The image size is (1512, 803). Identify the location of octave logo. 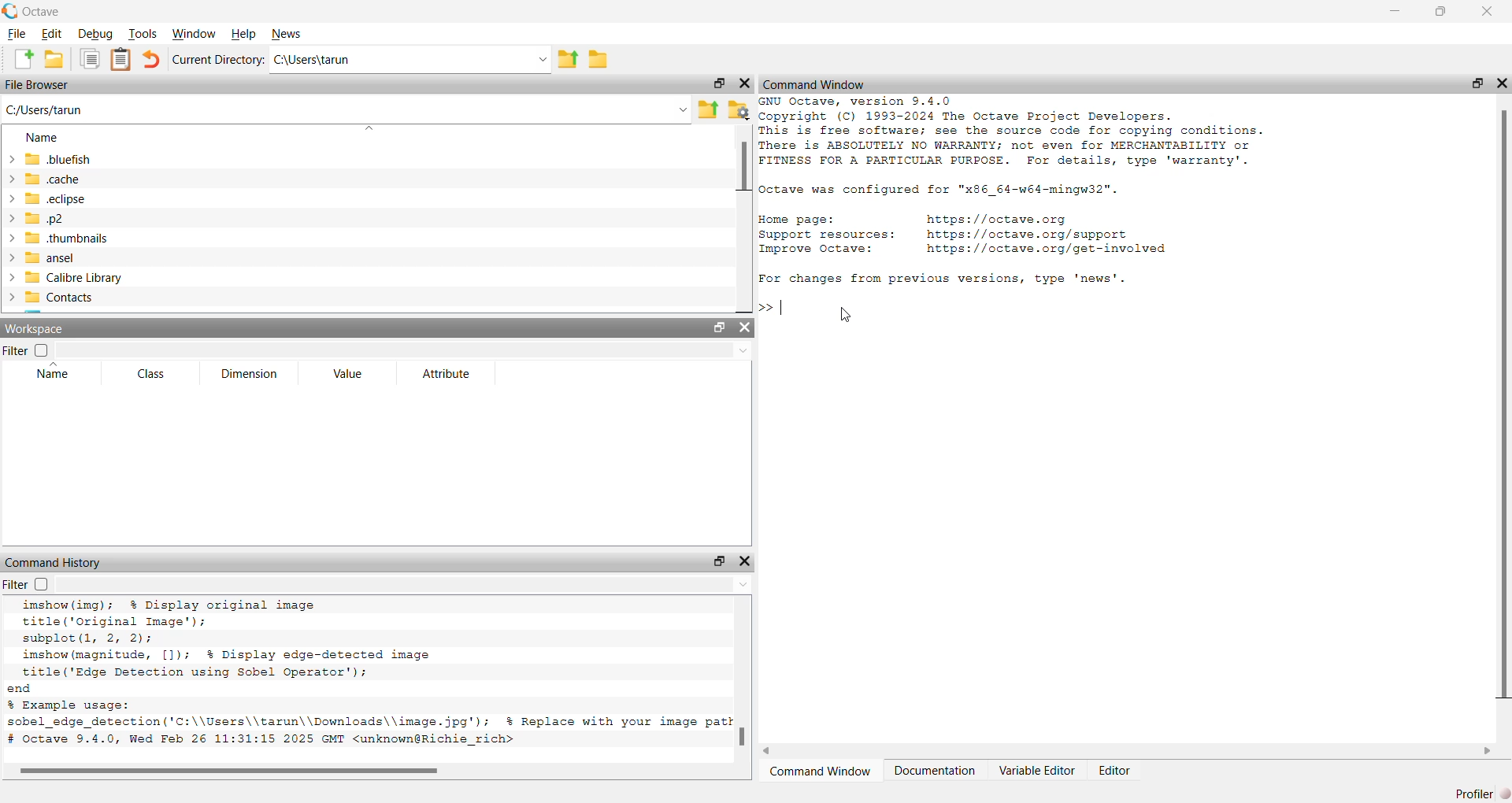
(9, 10).